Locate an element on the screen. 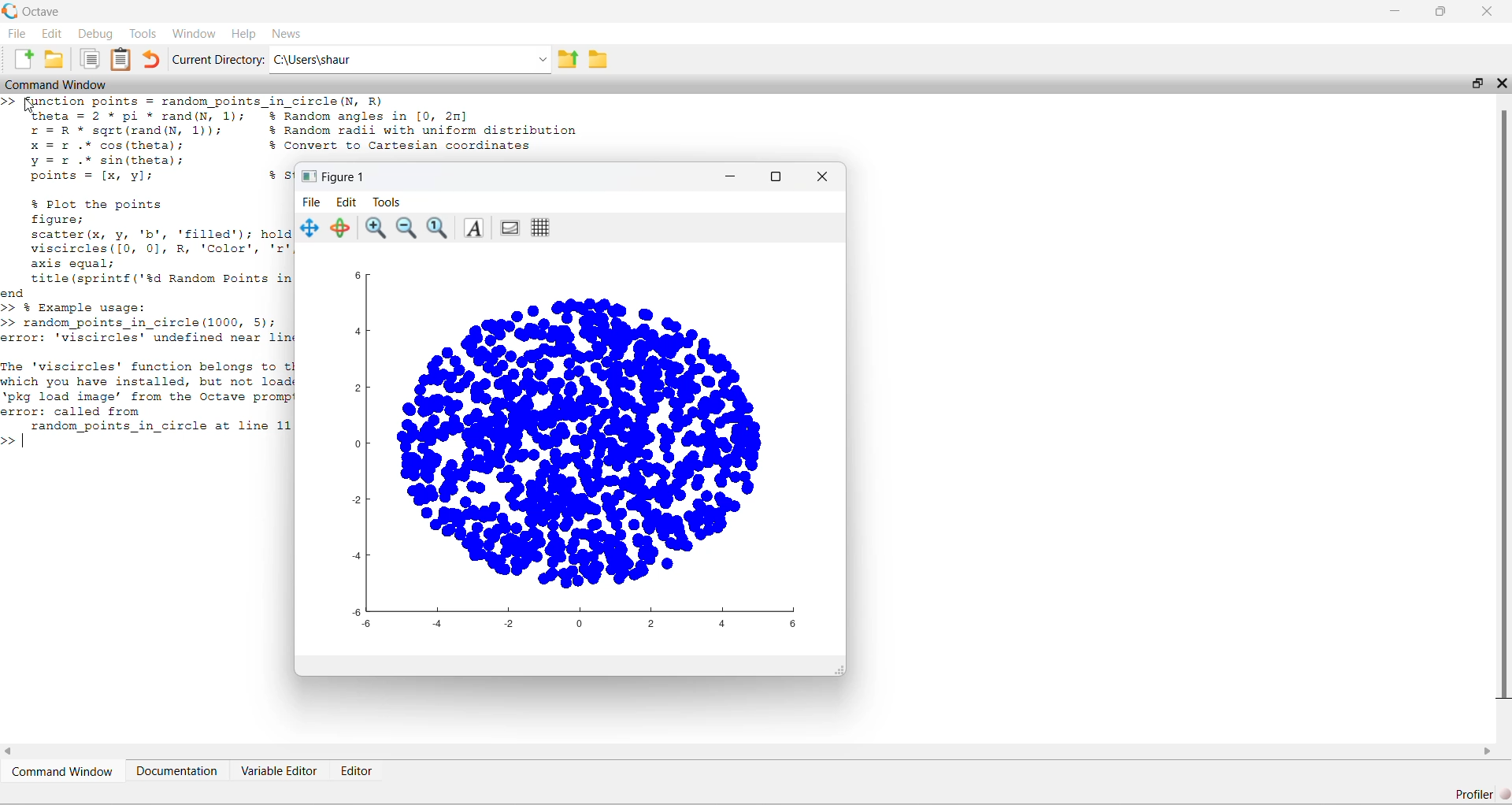 This screenshot has width=1512, height=805. Variable Editor is located at coordinates (279, 770).